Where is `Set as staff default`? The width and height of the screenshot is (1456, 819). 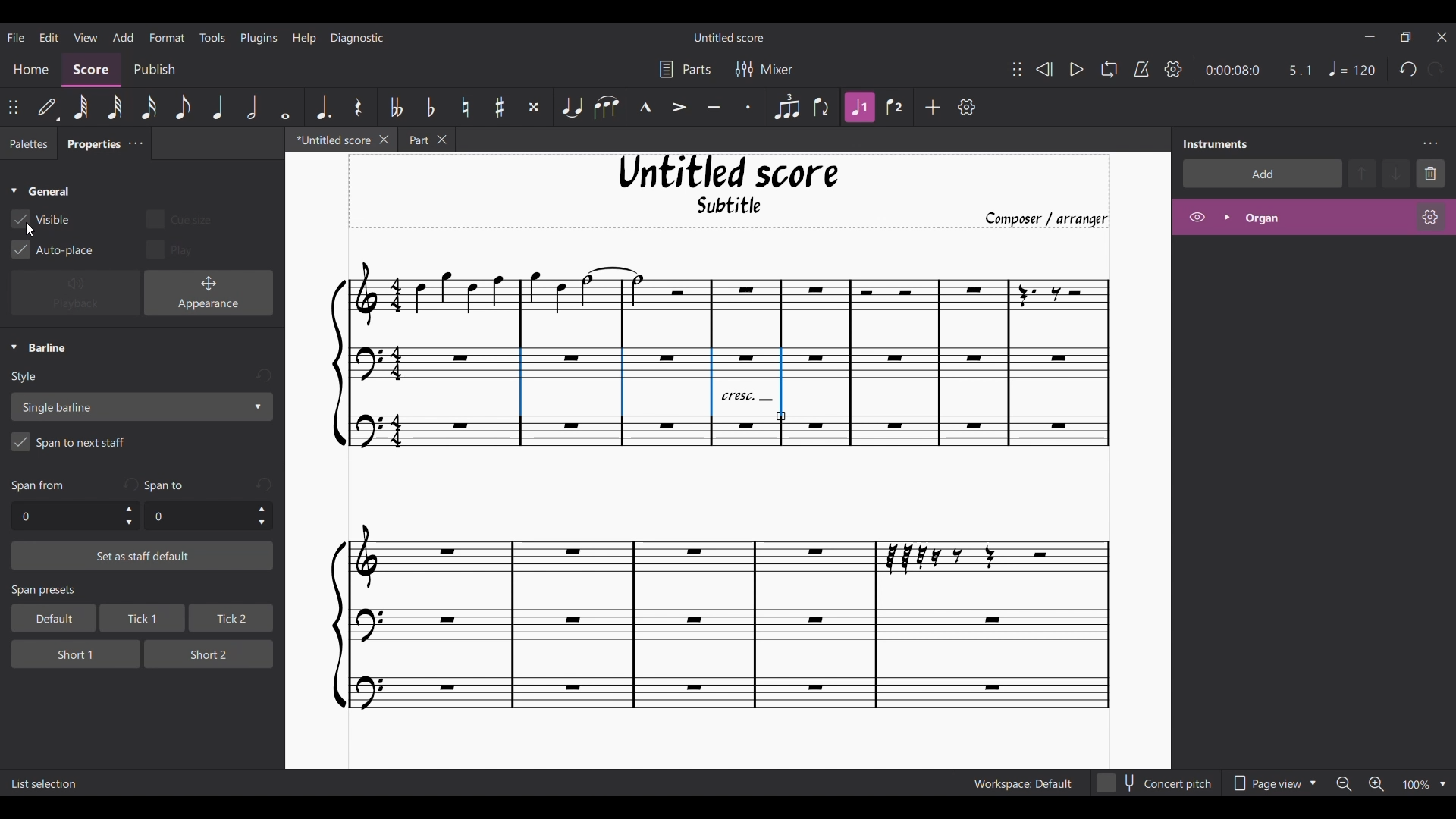 Set as staff default is located at coordinates (143, 556).